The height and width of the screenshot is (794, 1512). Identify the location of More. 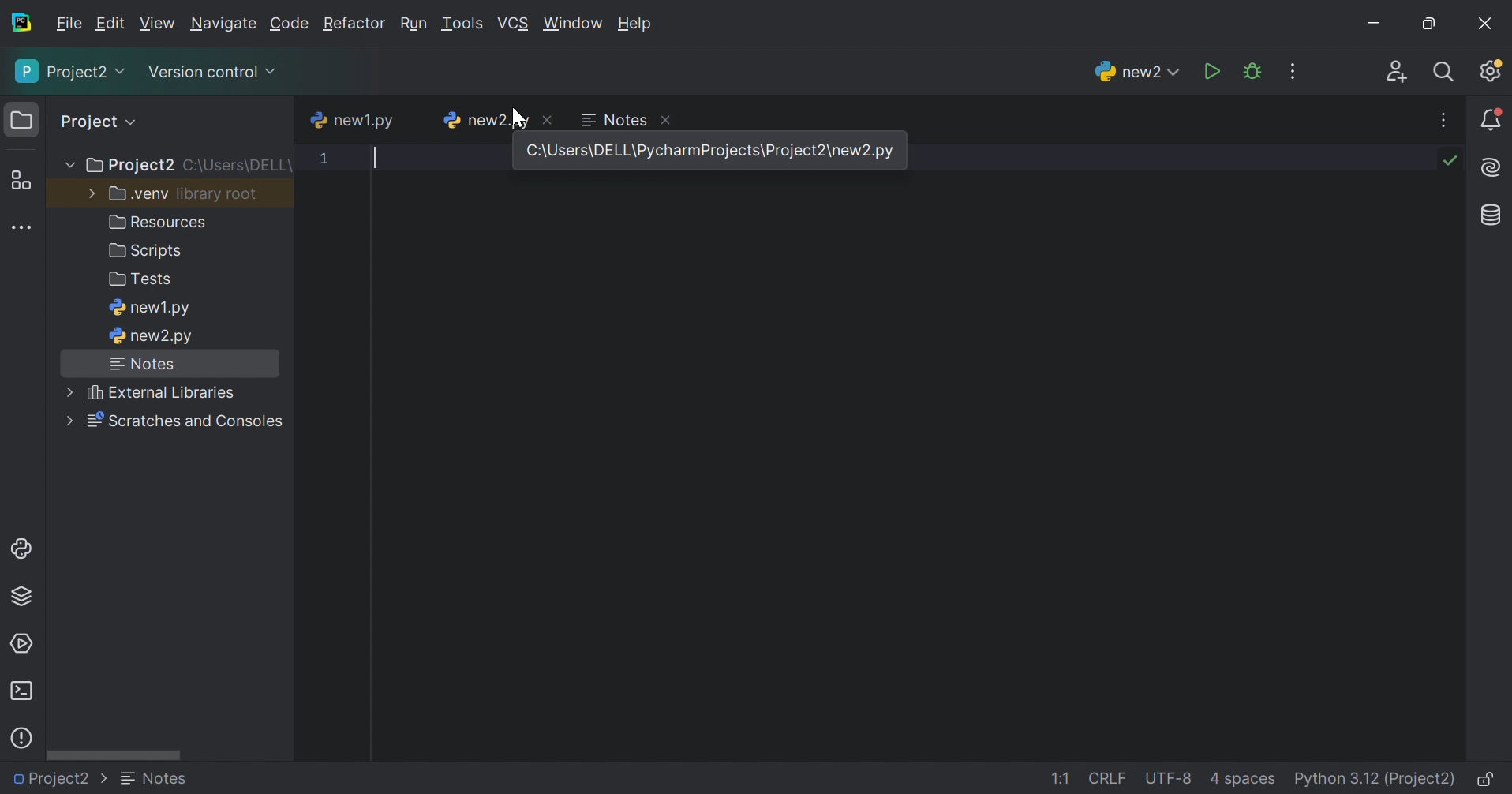
(88, 194).